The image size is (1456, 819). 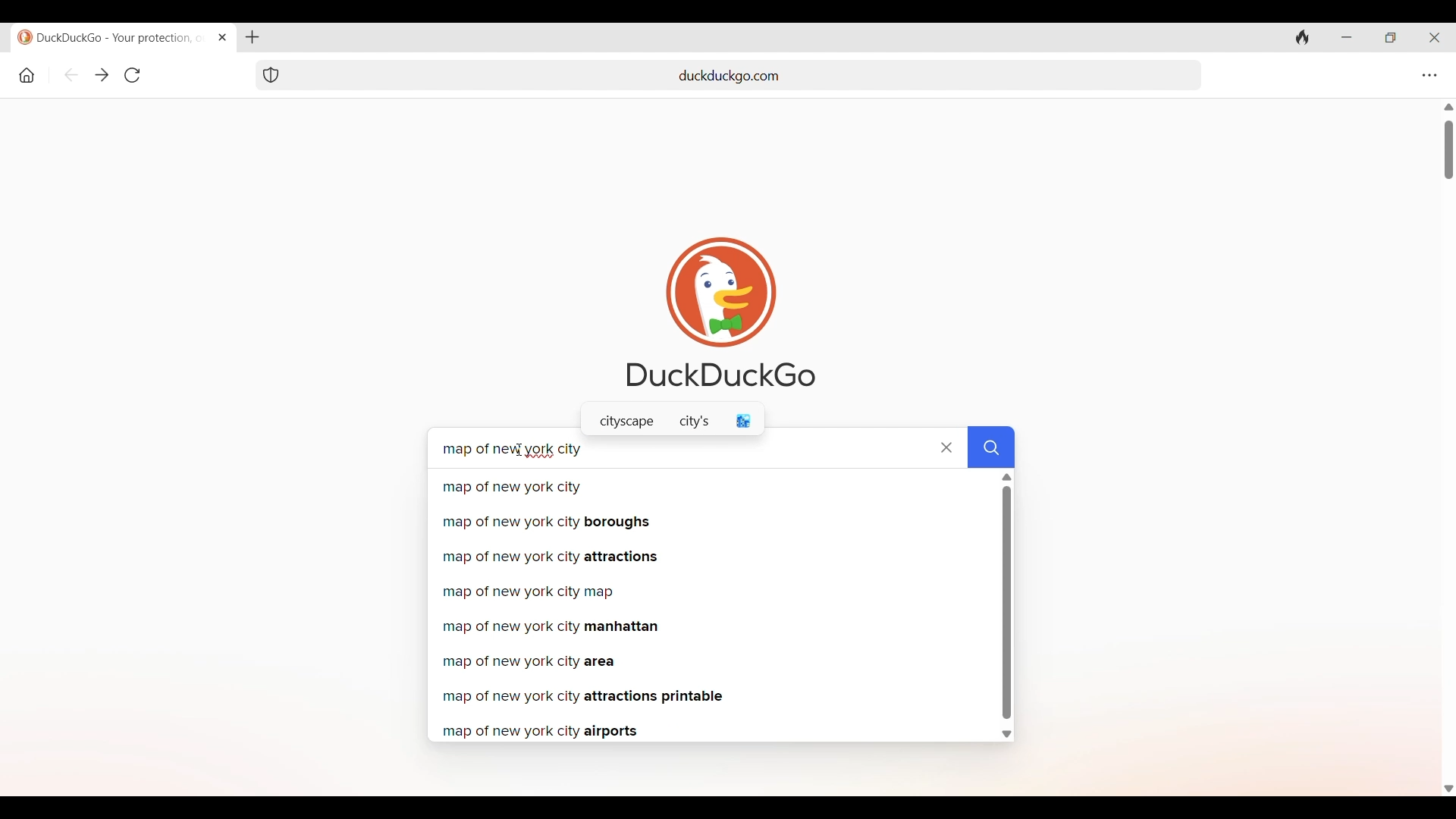 What do you see at coordinates (711, 732) in the screenshot?
I see `map of new york city airports` at bounding box center [711, 732].